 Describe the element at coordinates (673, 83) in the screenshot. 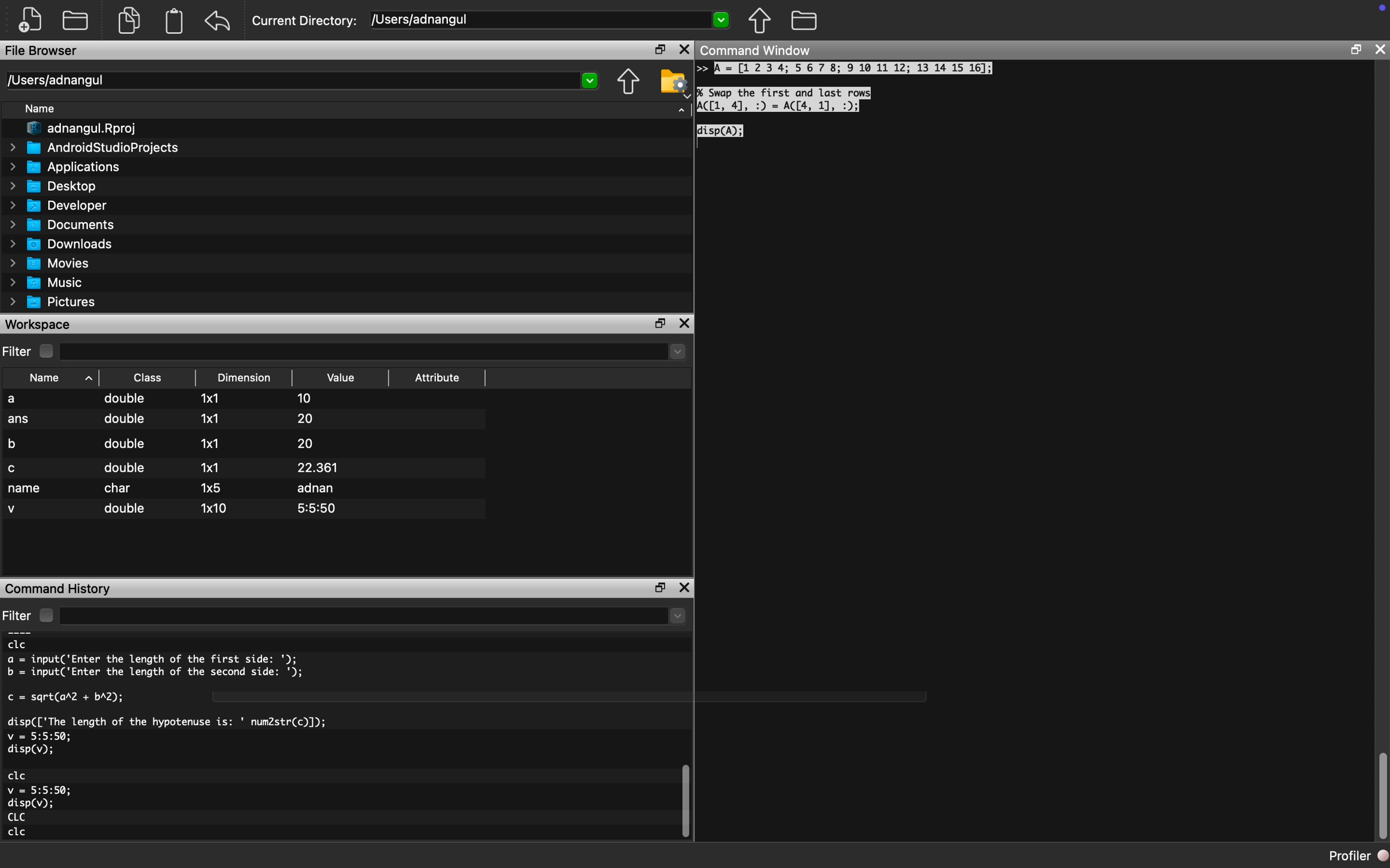

I see `Browse your files` at that location.